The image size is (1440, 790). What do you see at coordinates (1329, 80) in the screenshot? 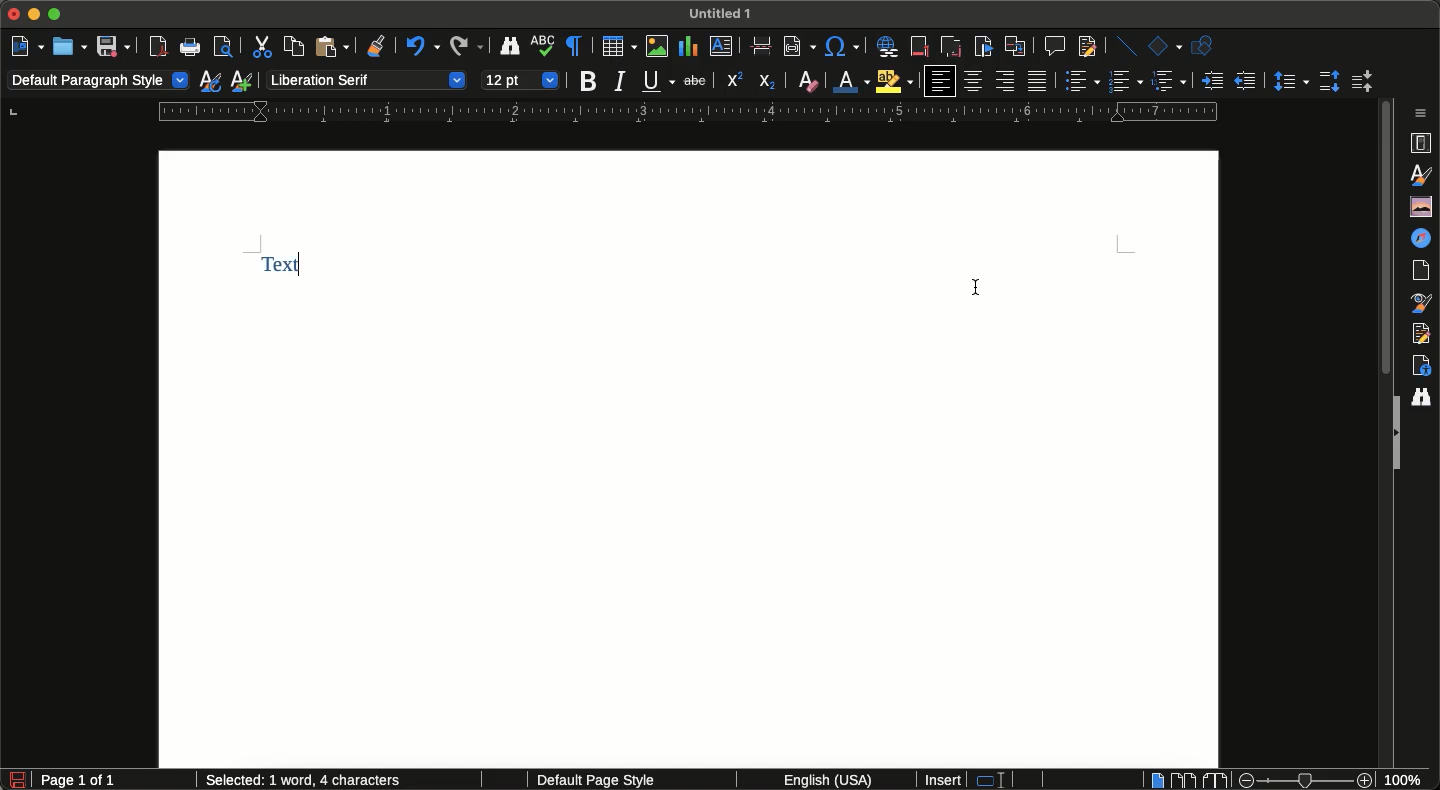
I see `Increase paragraph spacing` at bounding box center [1329, 80].